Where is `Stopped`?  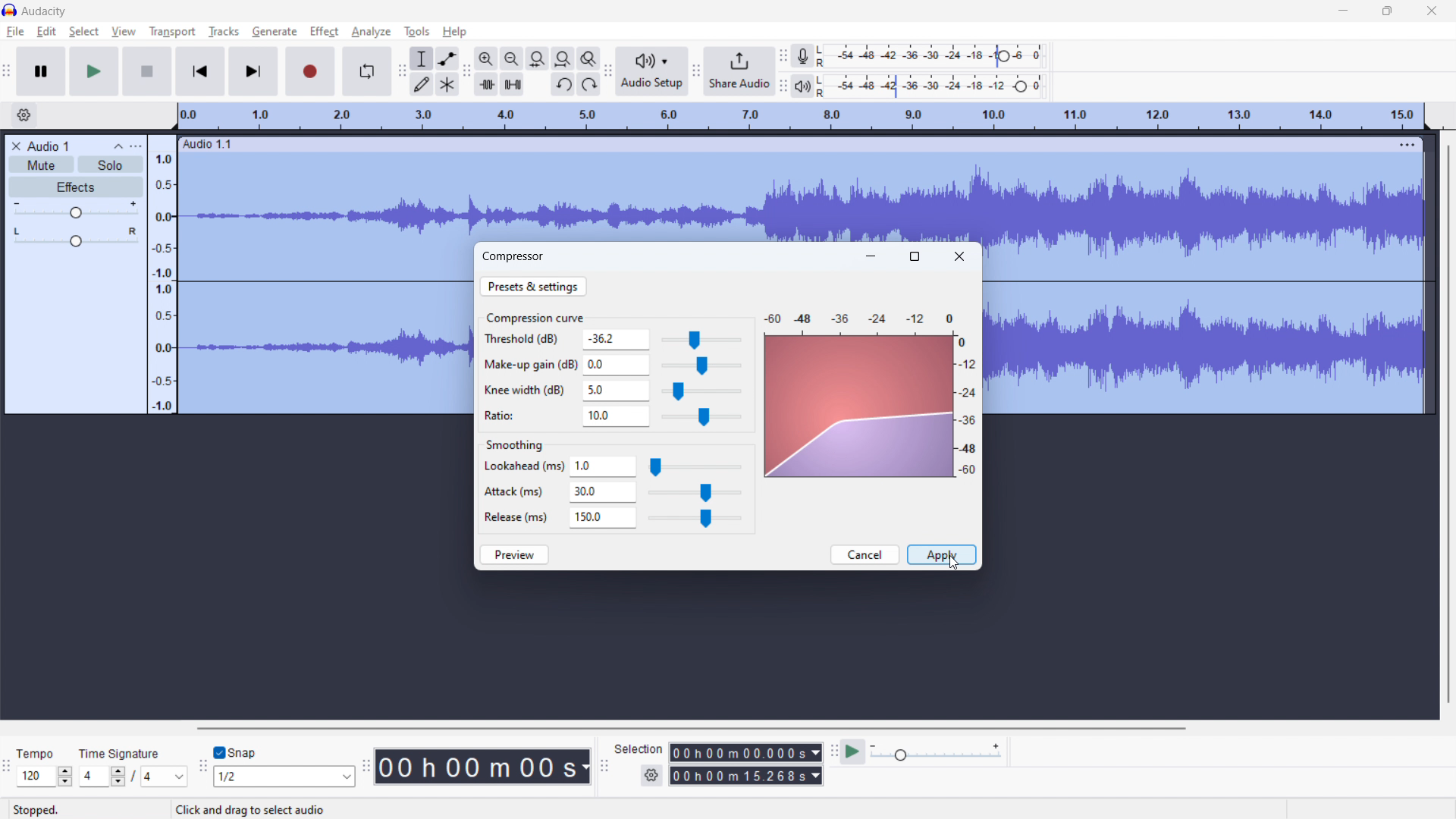
Stopped is located at coordinates (46, 808).